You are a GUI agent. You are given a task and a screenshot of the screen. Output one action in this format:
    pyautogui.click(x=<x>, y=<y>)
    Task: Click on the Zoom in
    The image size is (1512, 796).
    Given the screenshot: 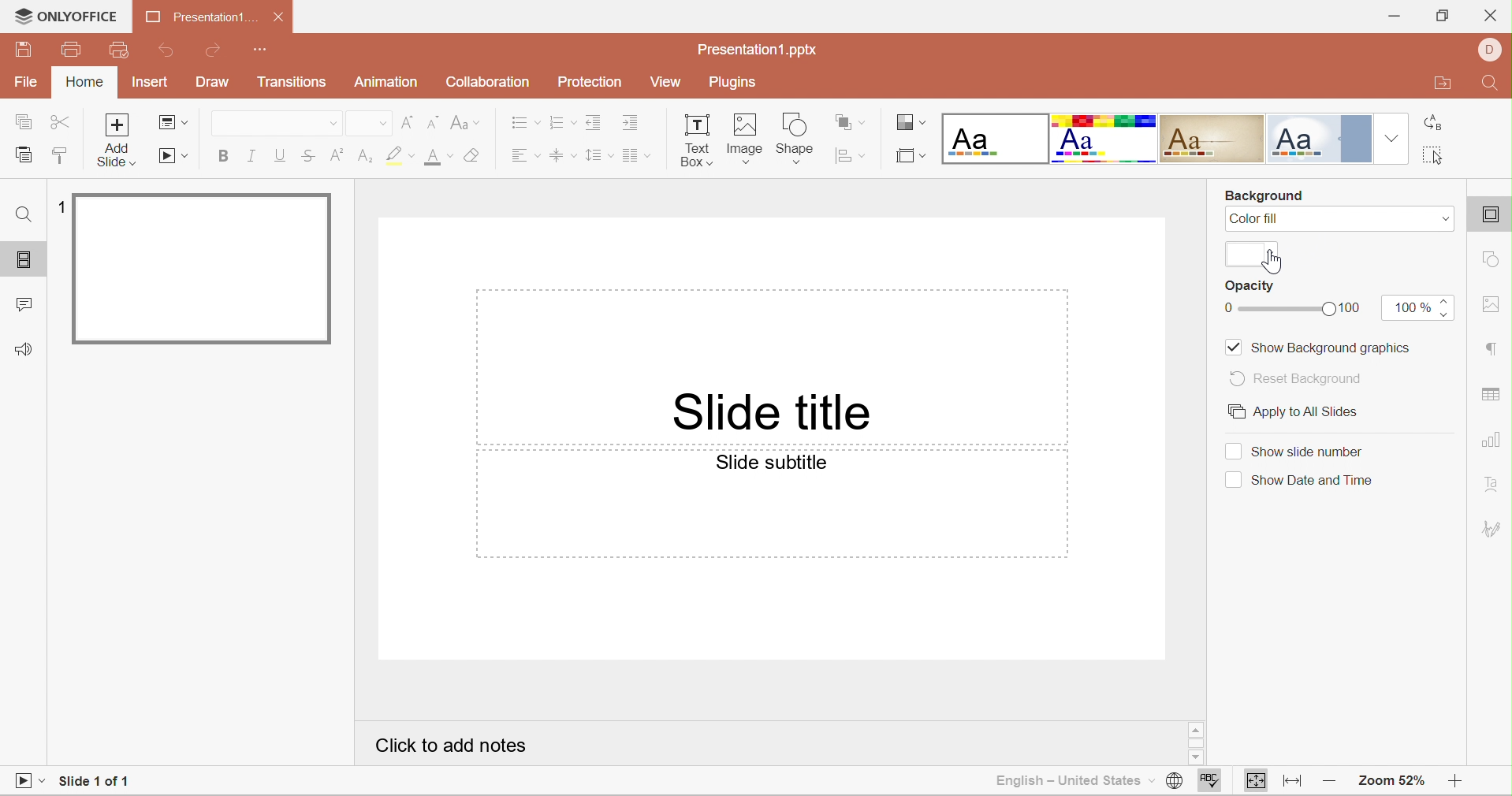 What is the action you would take?
    pyautogui.click(x=1454, y=784)
    